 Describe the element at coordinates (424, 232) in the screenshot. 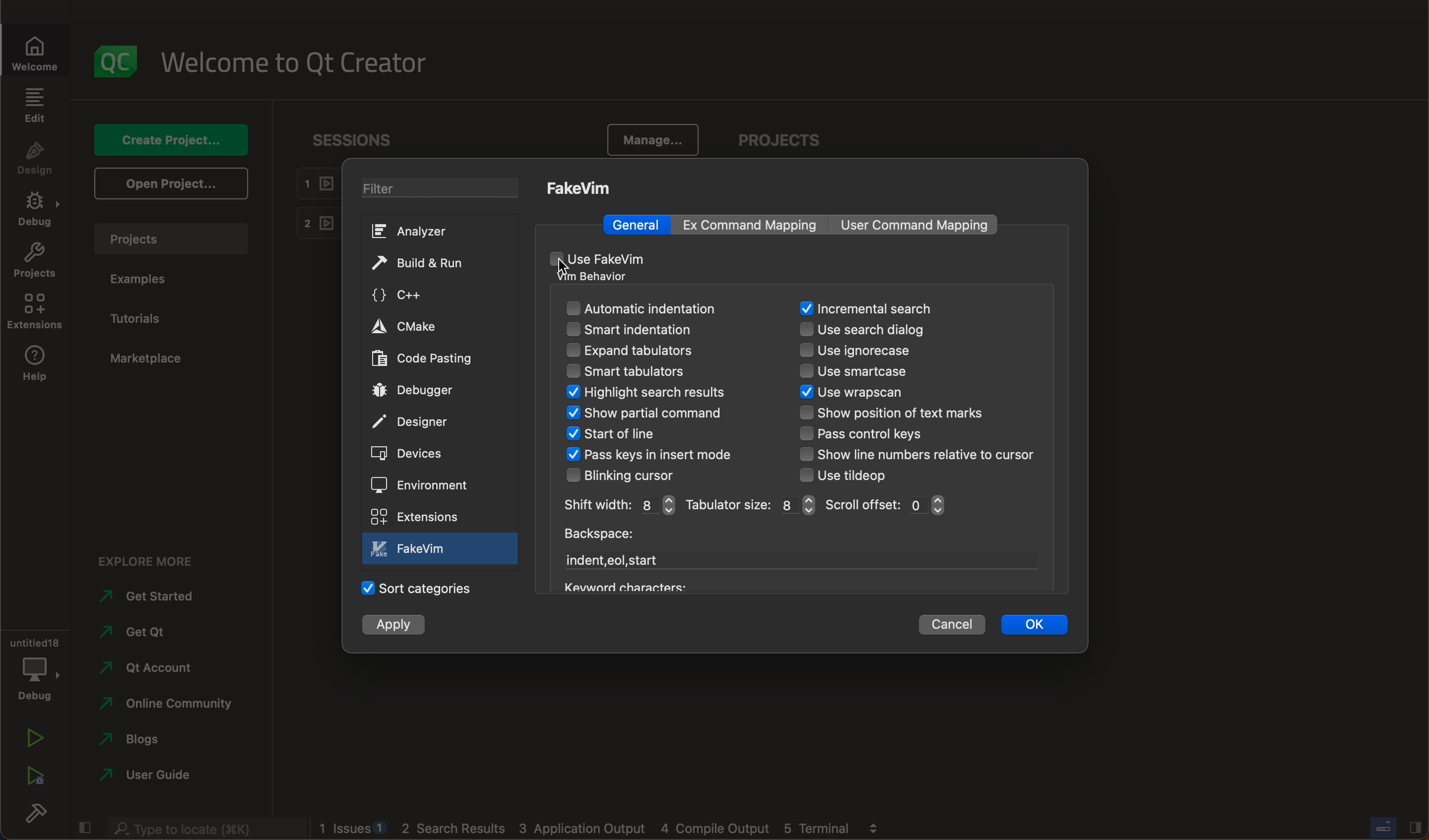

I see `analyzer` at that location.